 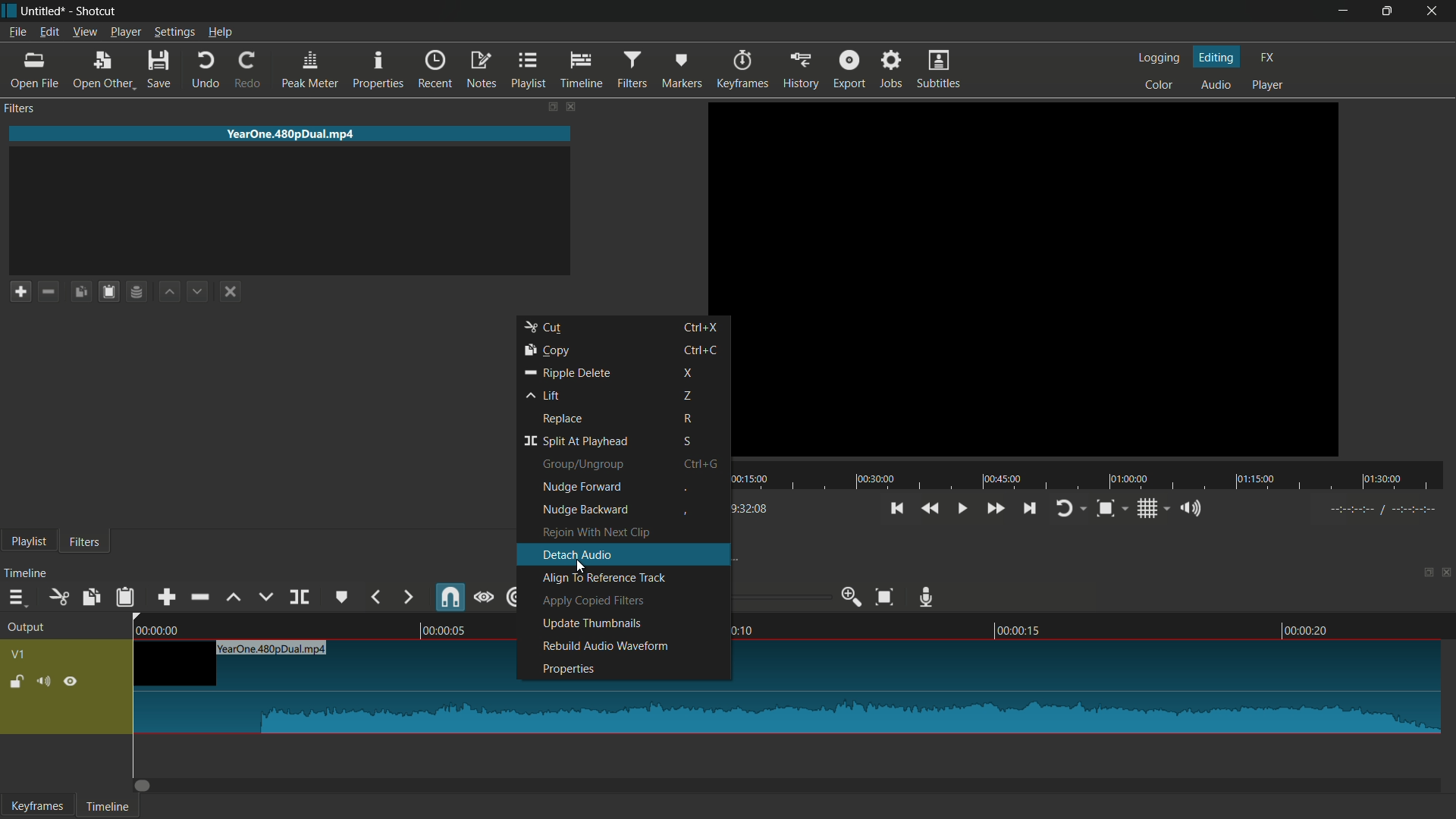 I want to click on Timeline, so click(x=108, y=805).